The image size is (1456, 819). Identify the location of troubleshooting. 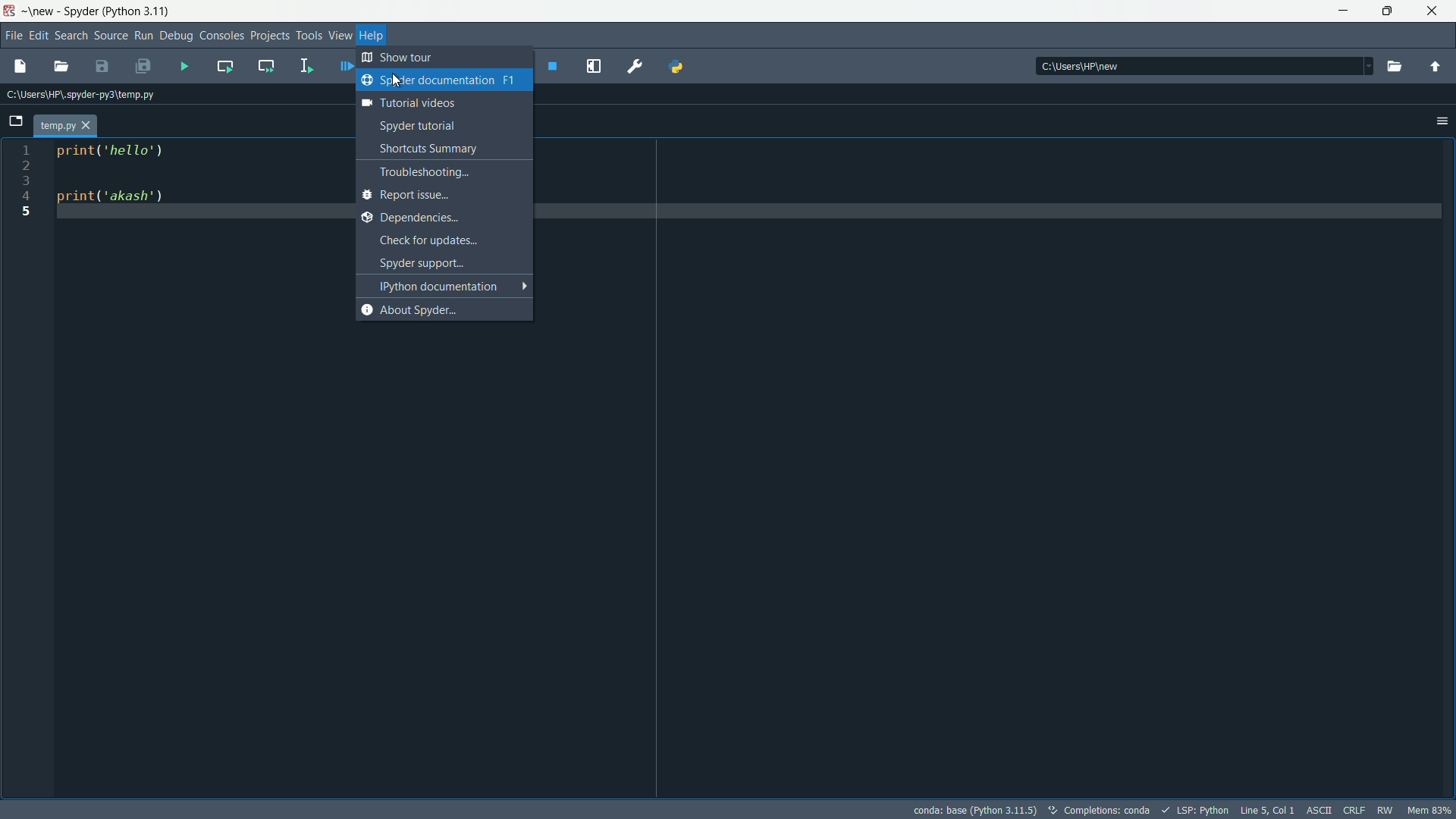
(446, 171).